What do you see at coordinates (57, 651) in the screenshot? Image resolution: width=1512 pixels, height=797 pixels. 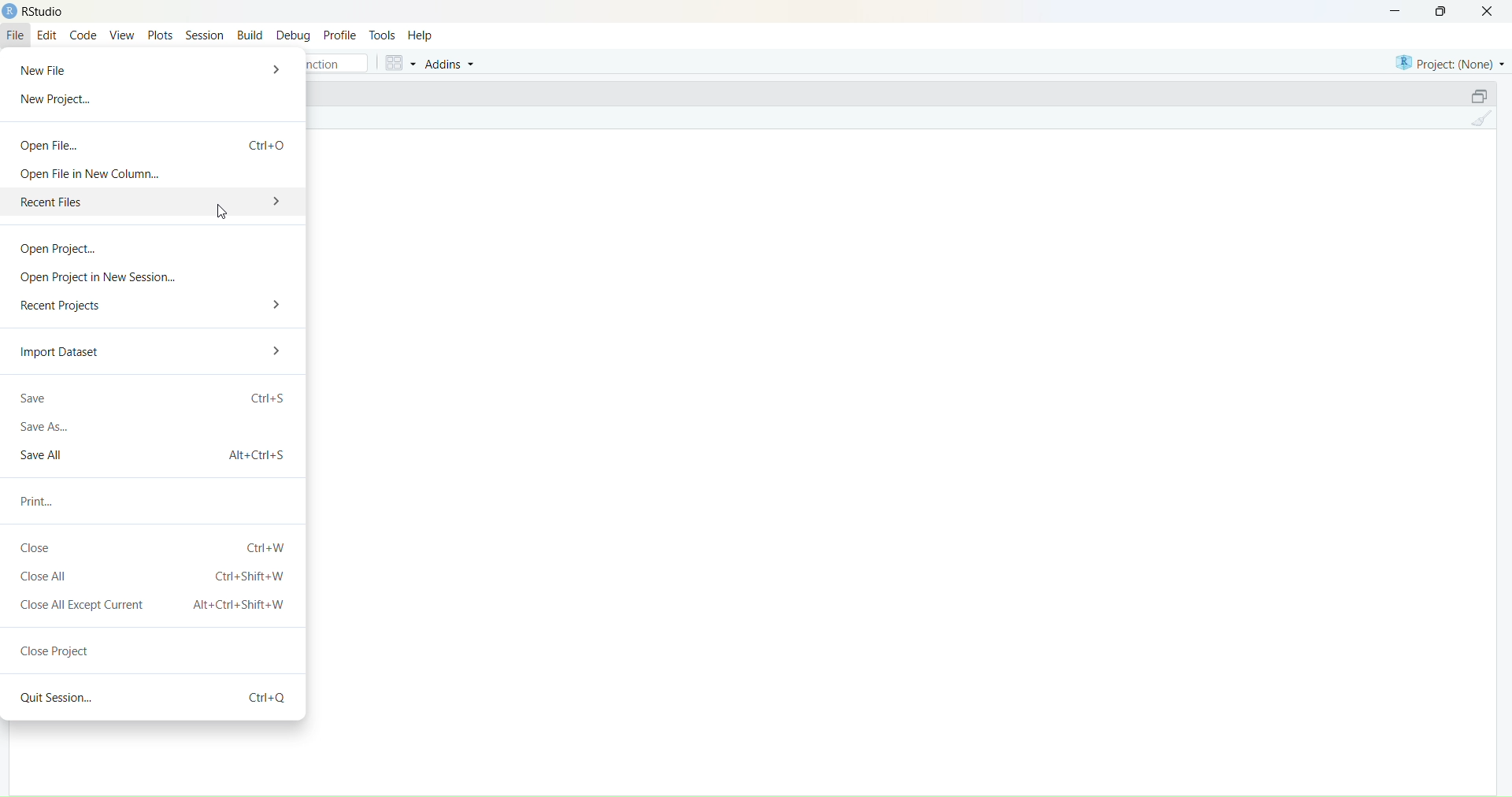 I see `Close Project` at bounding box center [57, 651].